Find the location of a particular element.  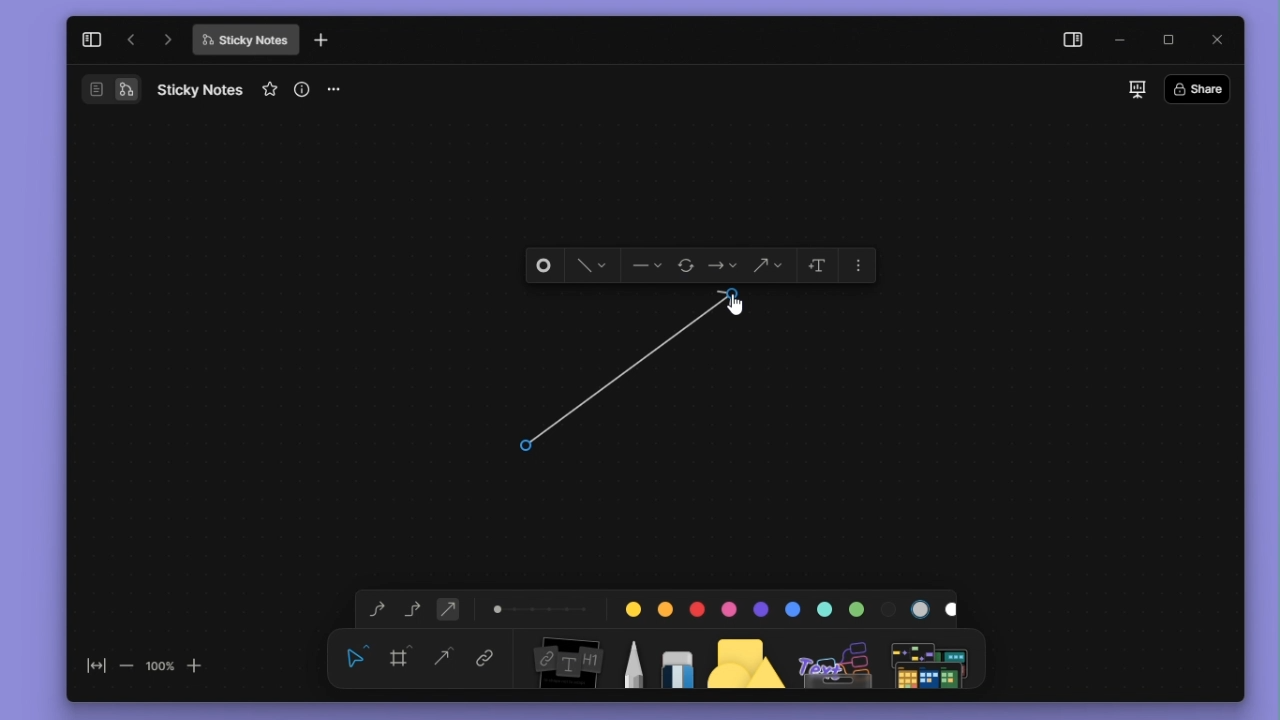

collapse sidebar is located at coordinates (91, 39).